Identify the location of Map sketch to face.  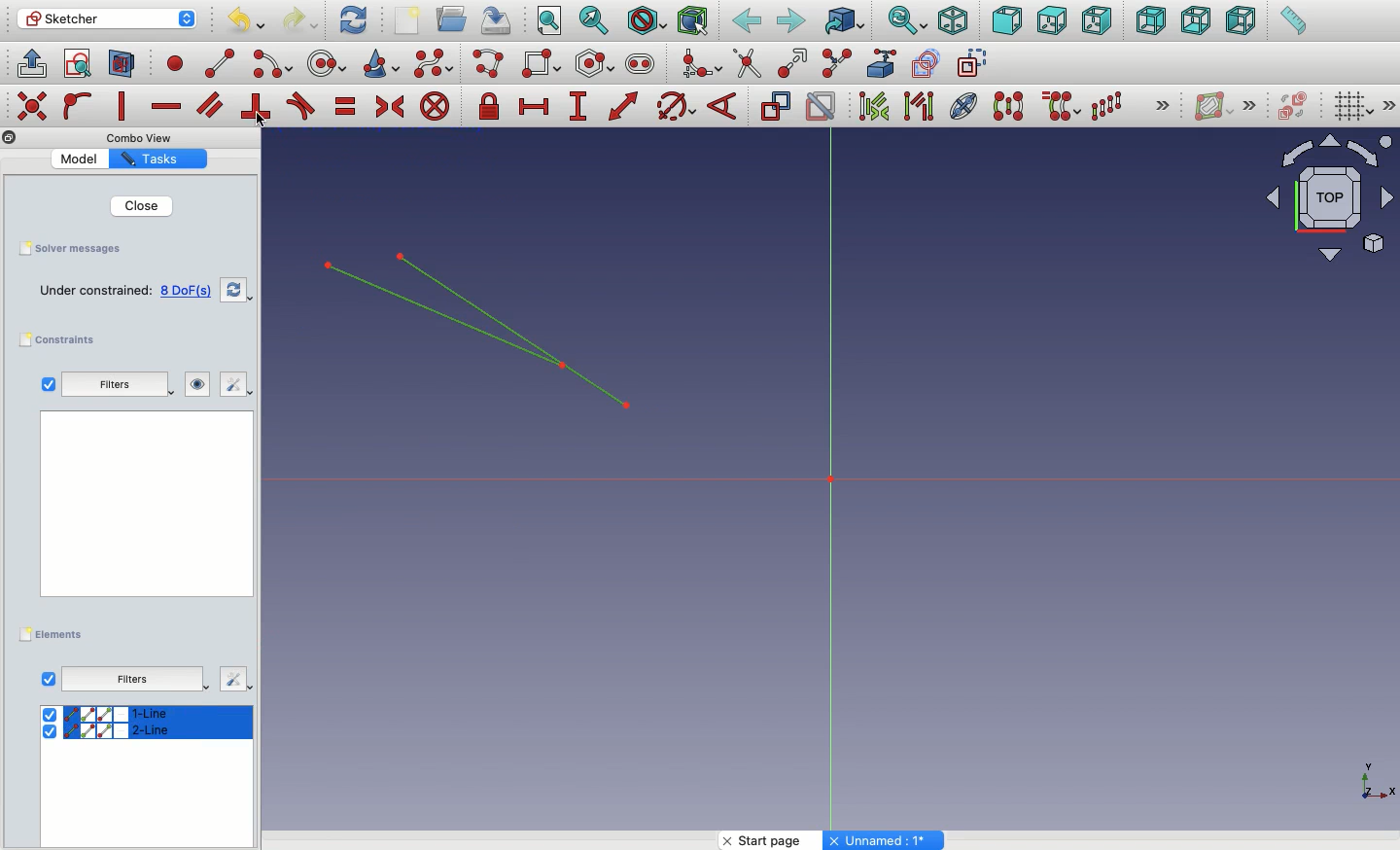
(122, 64).